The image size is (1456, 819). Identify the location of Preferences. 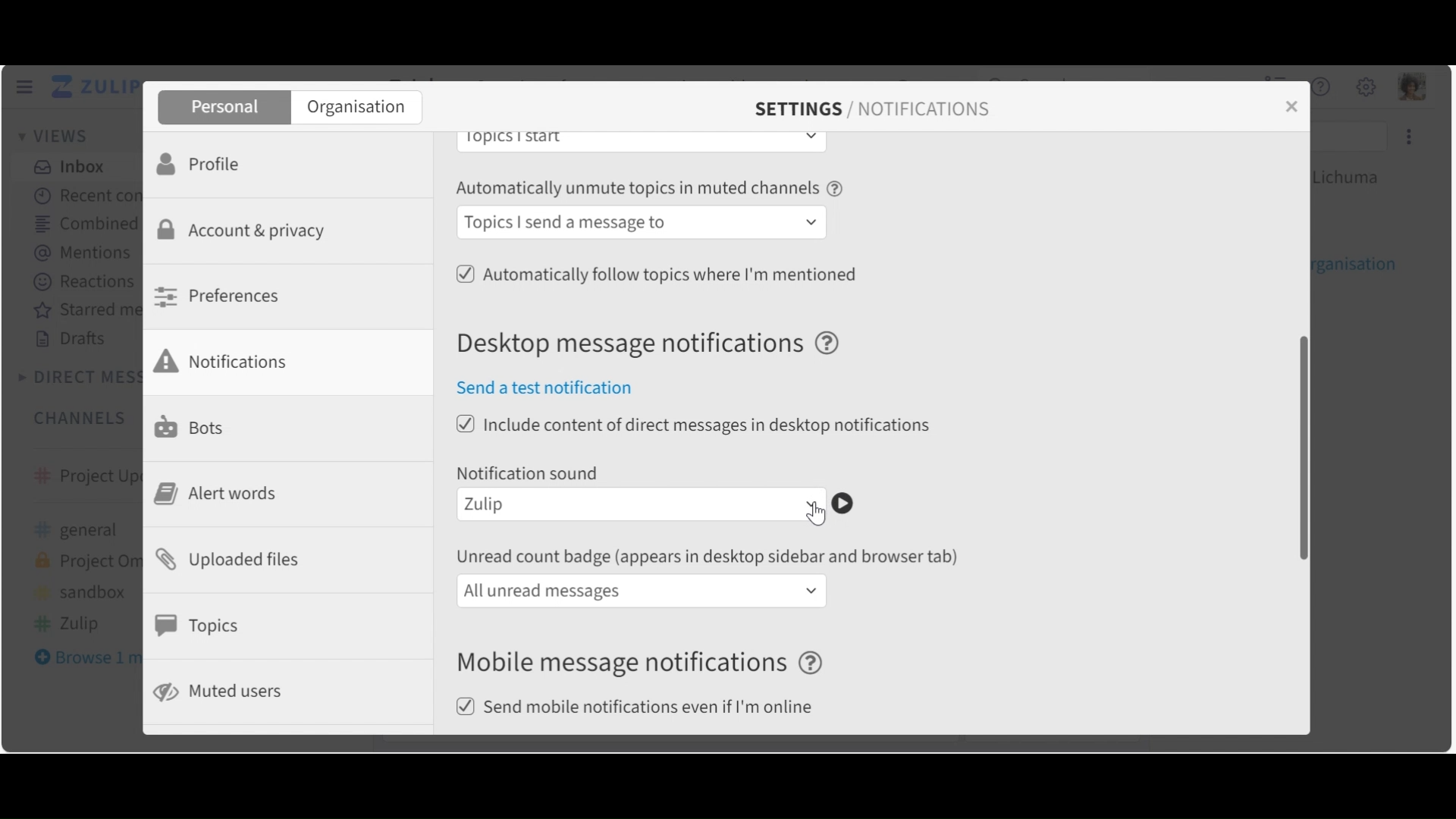
(221, 296).